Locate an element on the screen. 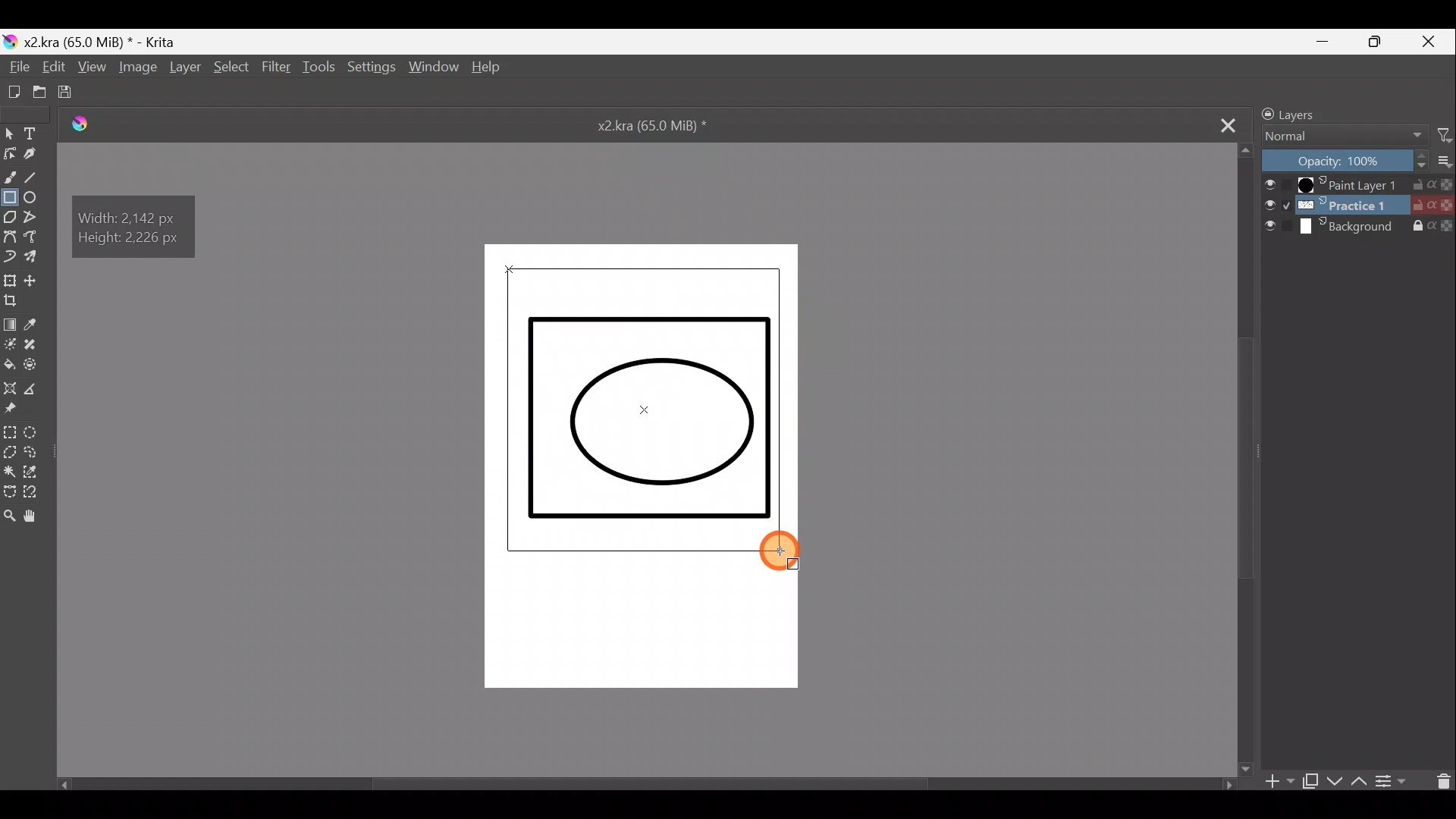 Image resolution: width=1456 pixels, height=819 pixels. Calligraphy is located at coordinates (36, 155).